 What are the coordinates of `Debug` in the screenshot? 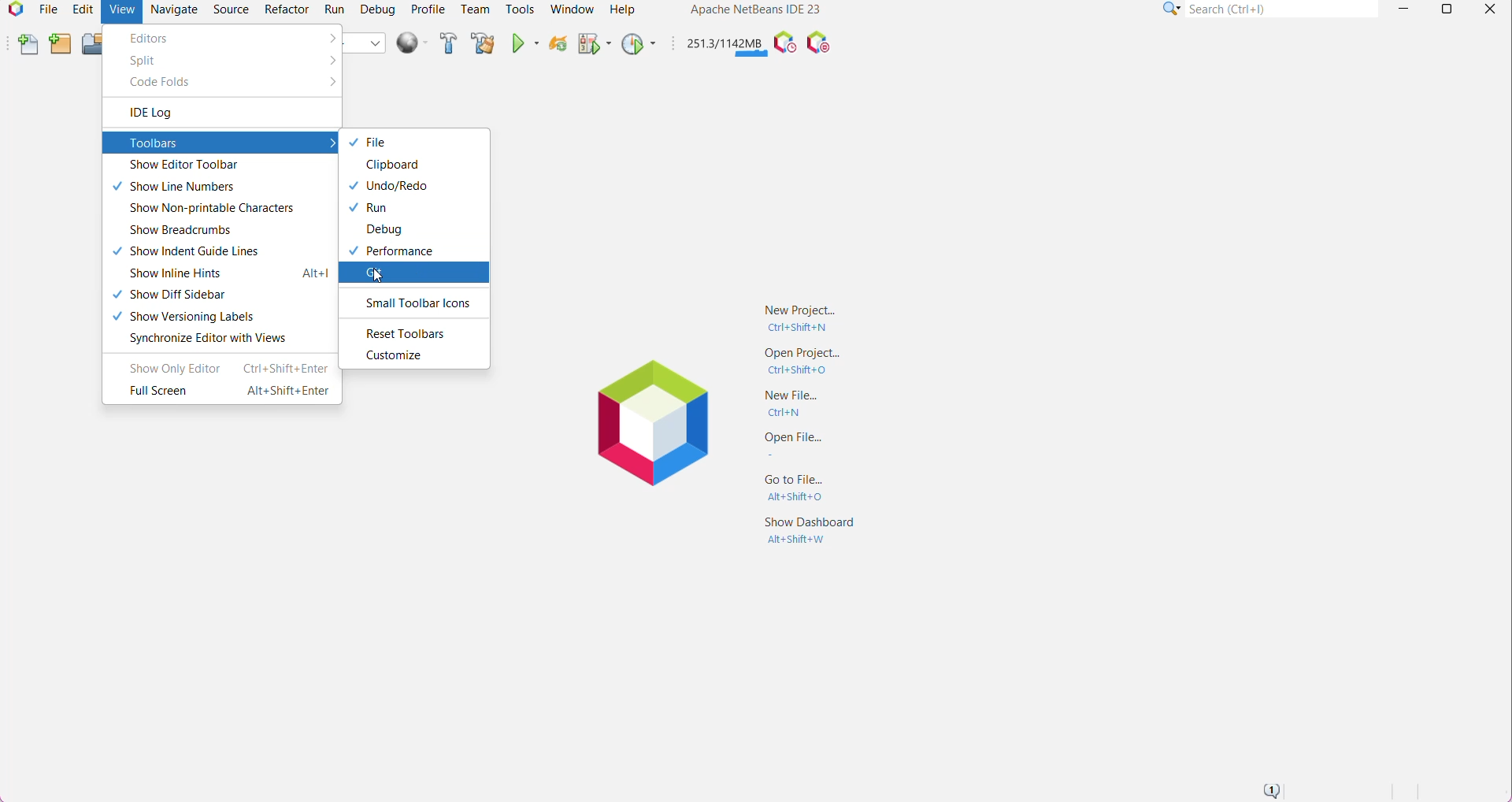 It's located at (374, 230).